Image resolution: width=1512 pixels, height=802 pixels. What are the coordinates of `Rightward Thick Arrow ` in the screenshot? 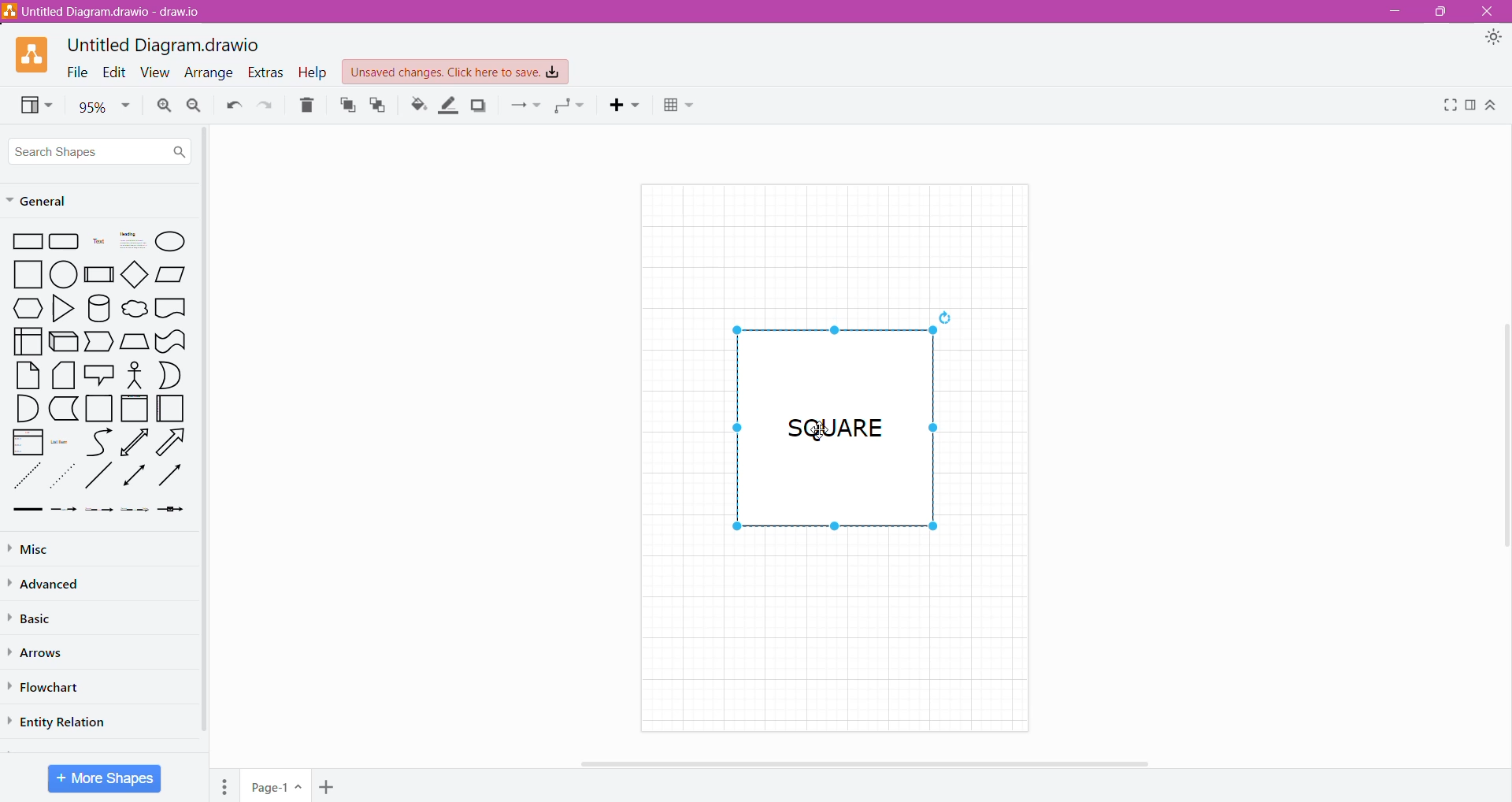 It's located at (170, 476).